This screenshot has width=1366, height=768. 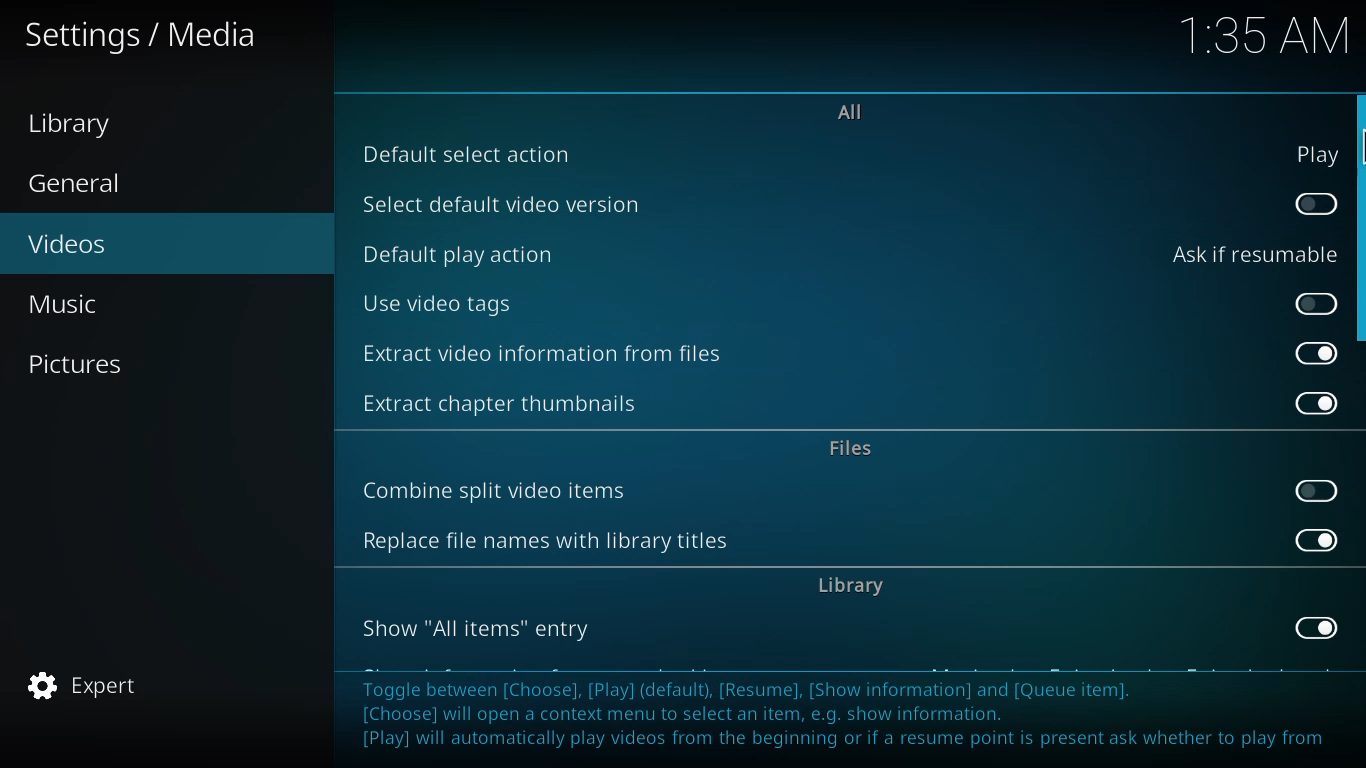 I want to click on files, so click(x=856, y=450).